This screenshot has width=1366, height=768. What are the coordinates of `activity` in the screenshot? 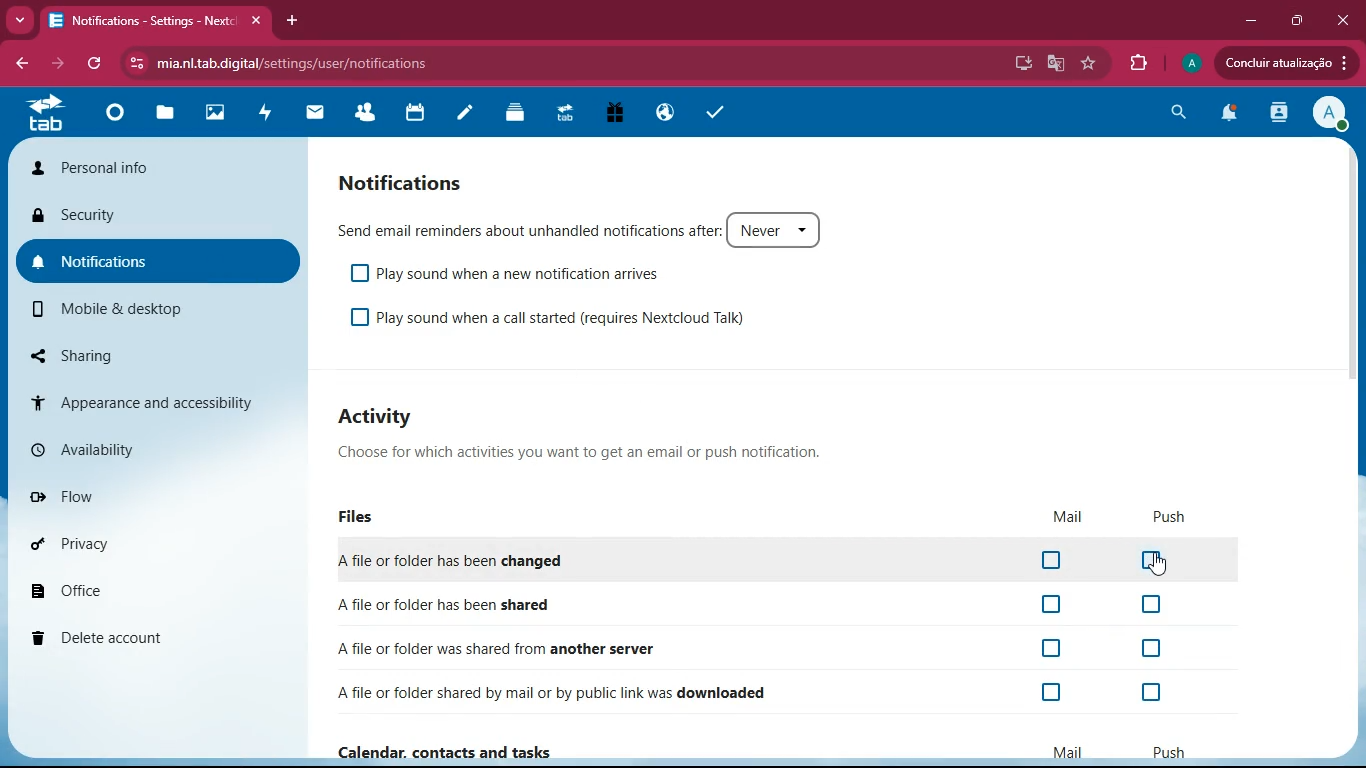 It's located at (265, 115).